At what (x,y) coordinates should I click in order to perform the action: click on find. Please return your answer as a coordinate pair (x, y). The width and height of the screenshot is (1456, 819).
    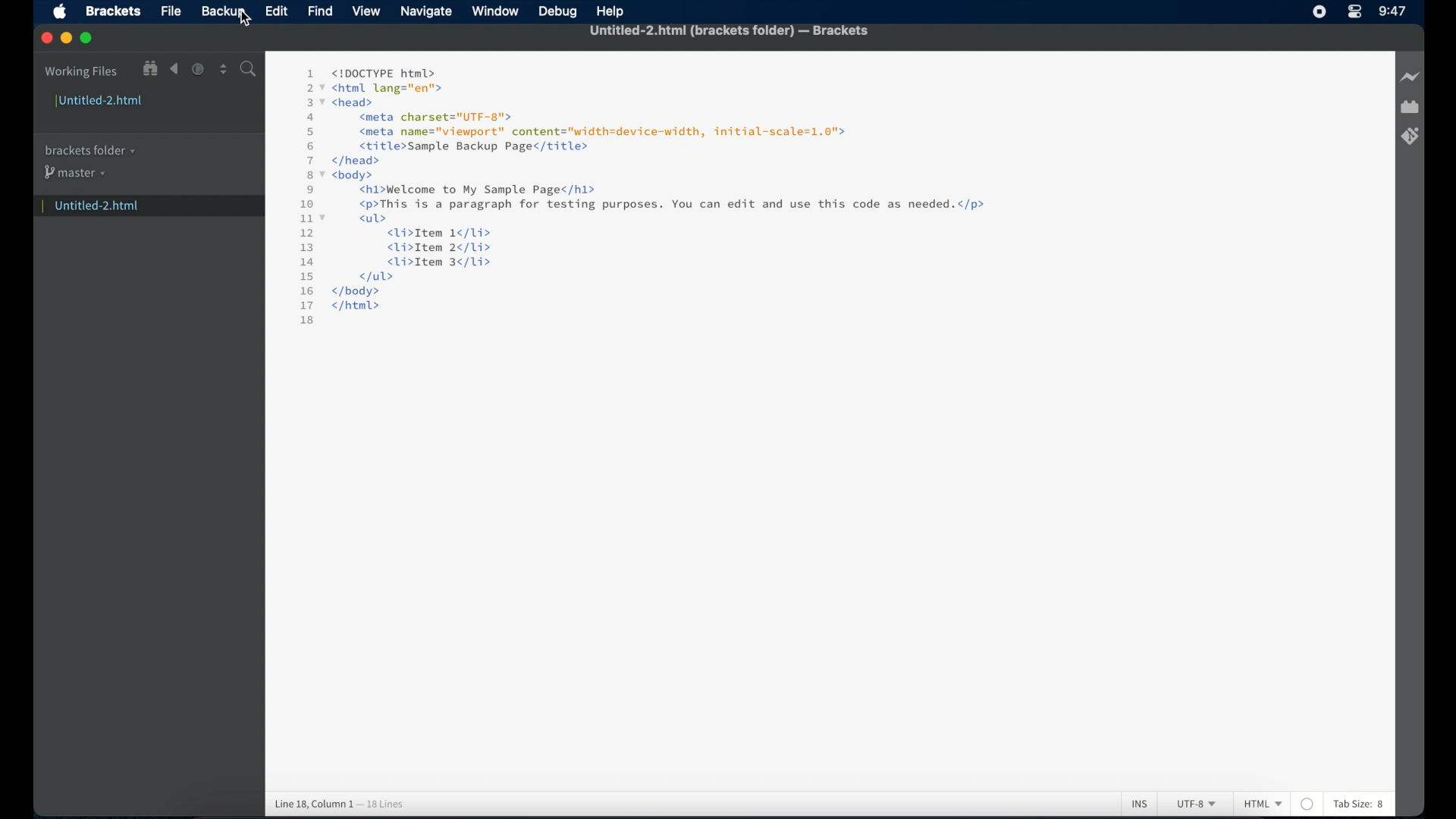
    Looking at the image, I should click on (321, 12).